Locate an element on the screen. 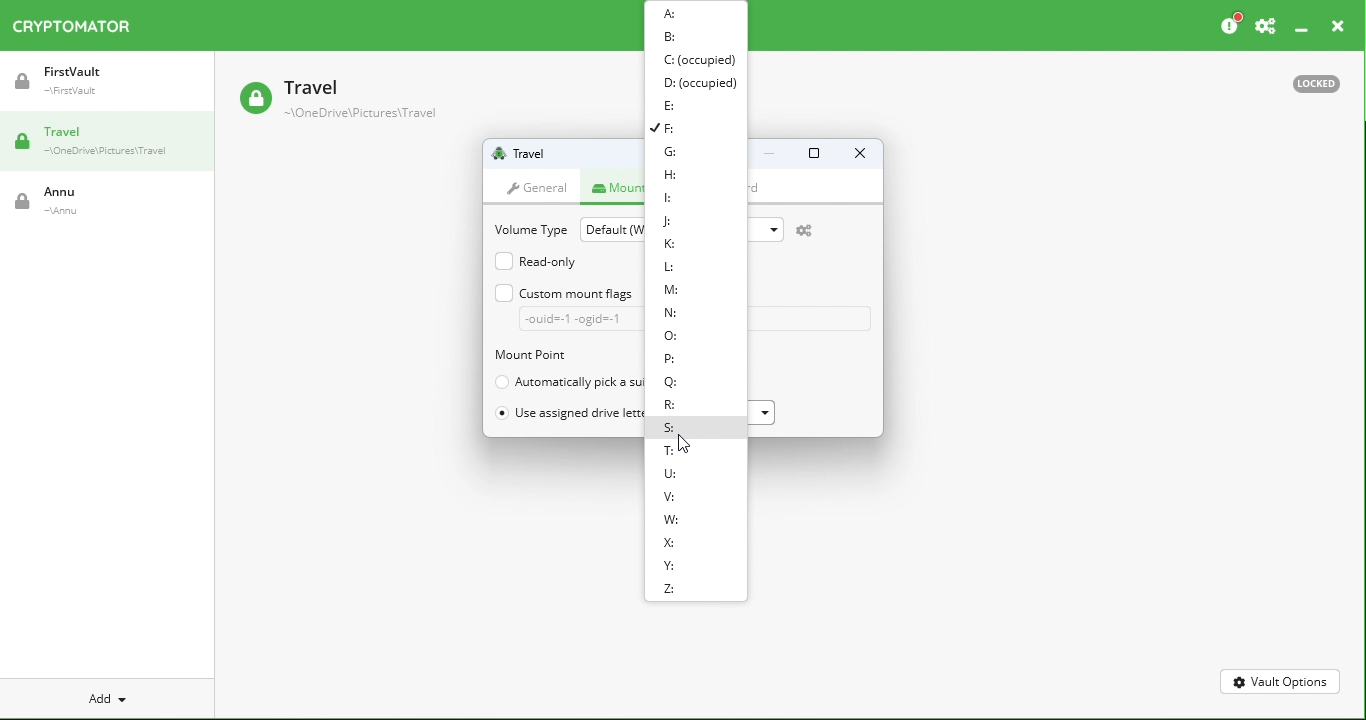  M: is located at coordinates (672, 291).